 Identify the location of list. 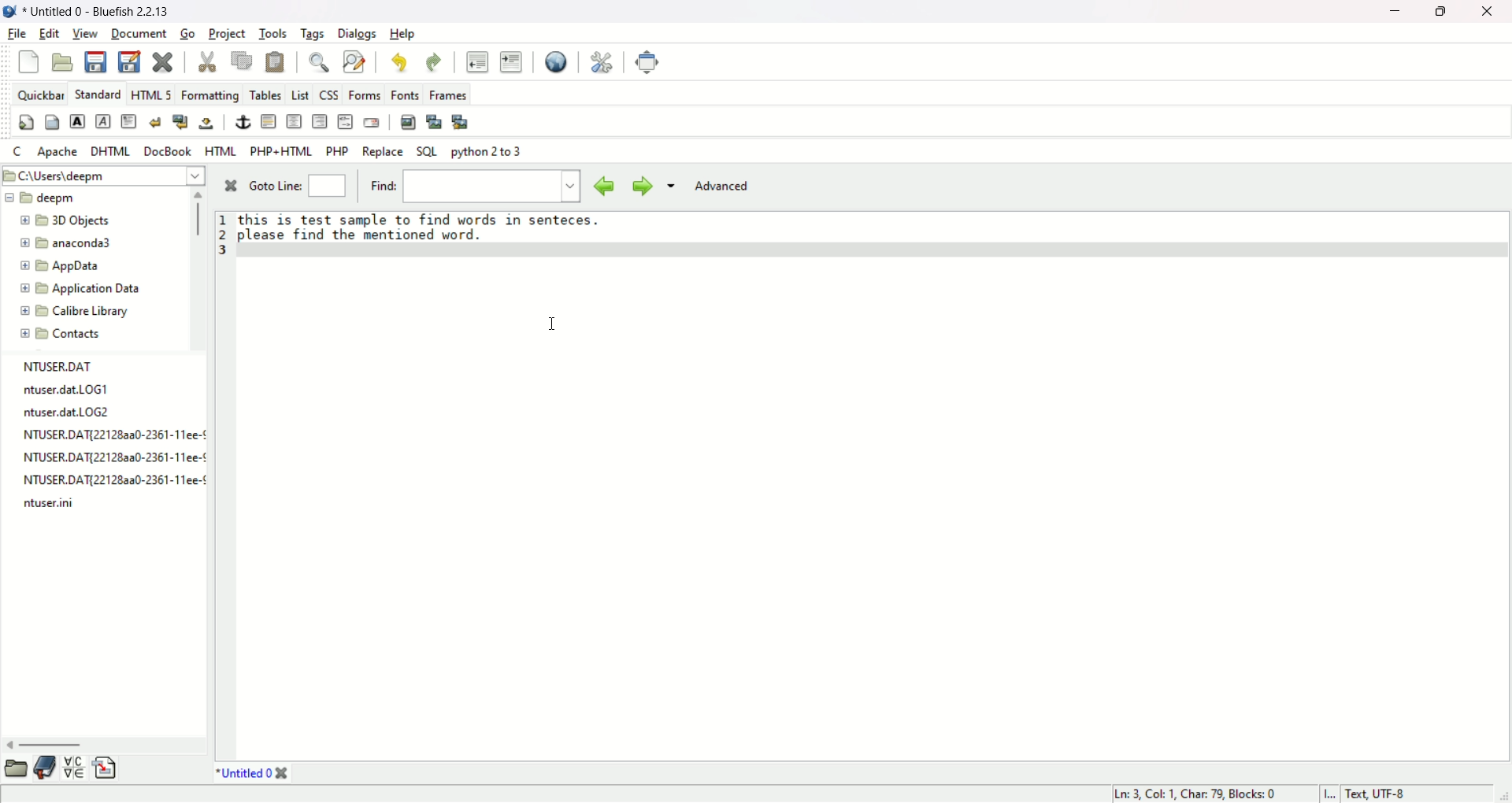
(298, 93).